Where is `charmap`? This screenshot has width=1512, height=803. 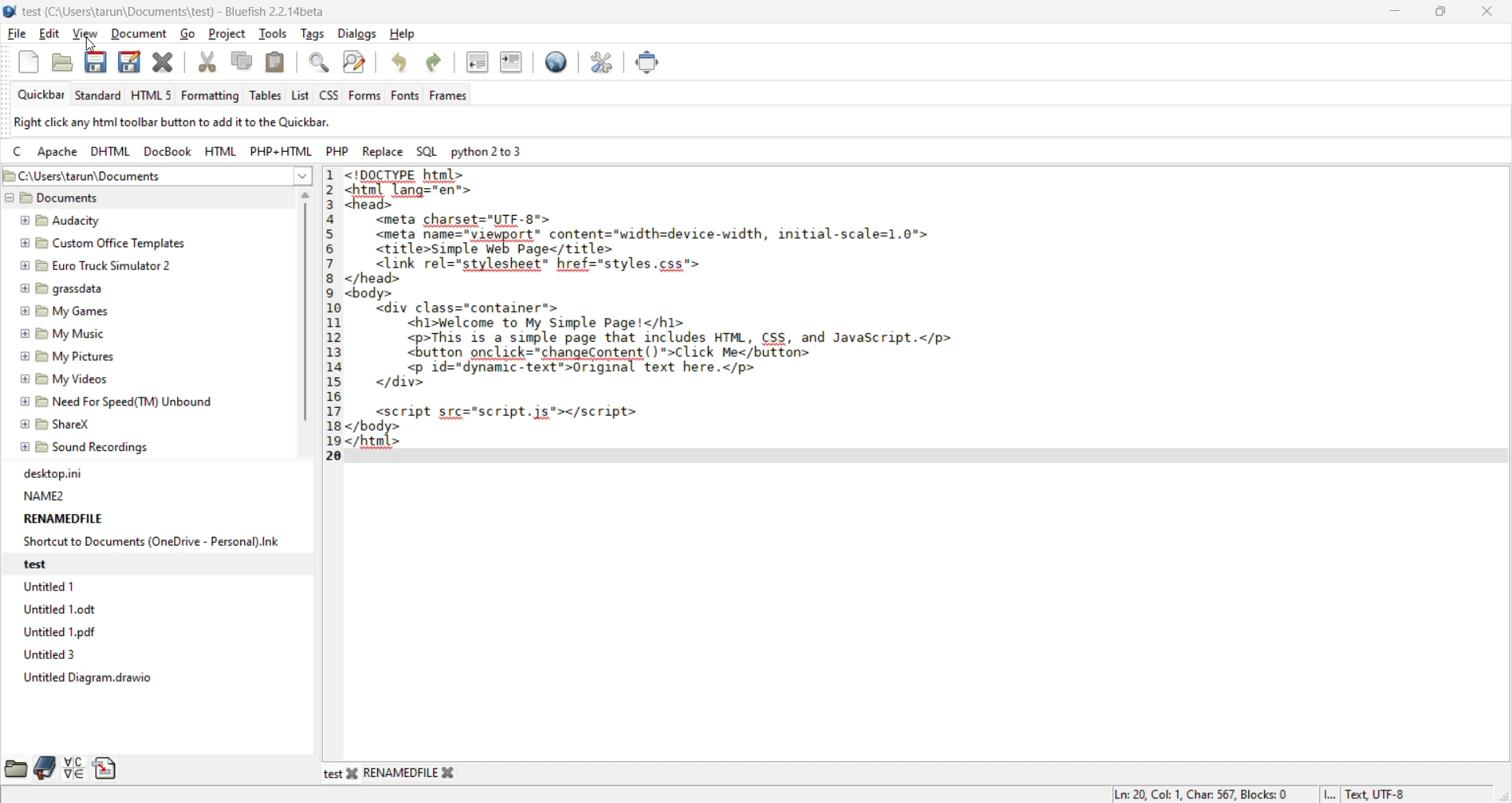 charmap is located at coordinates (76, 770).